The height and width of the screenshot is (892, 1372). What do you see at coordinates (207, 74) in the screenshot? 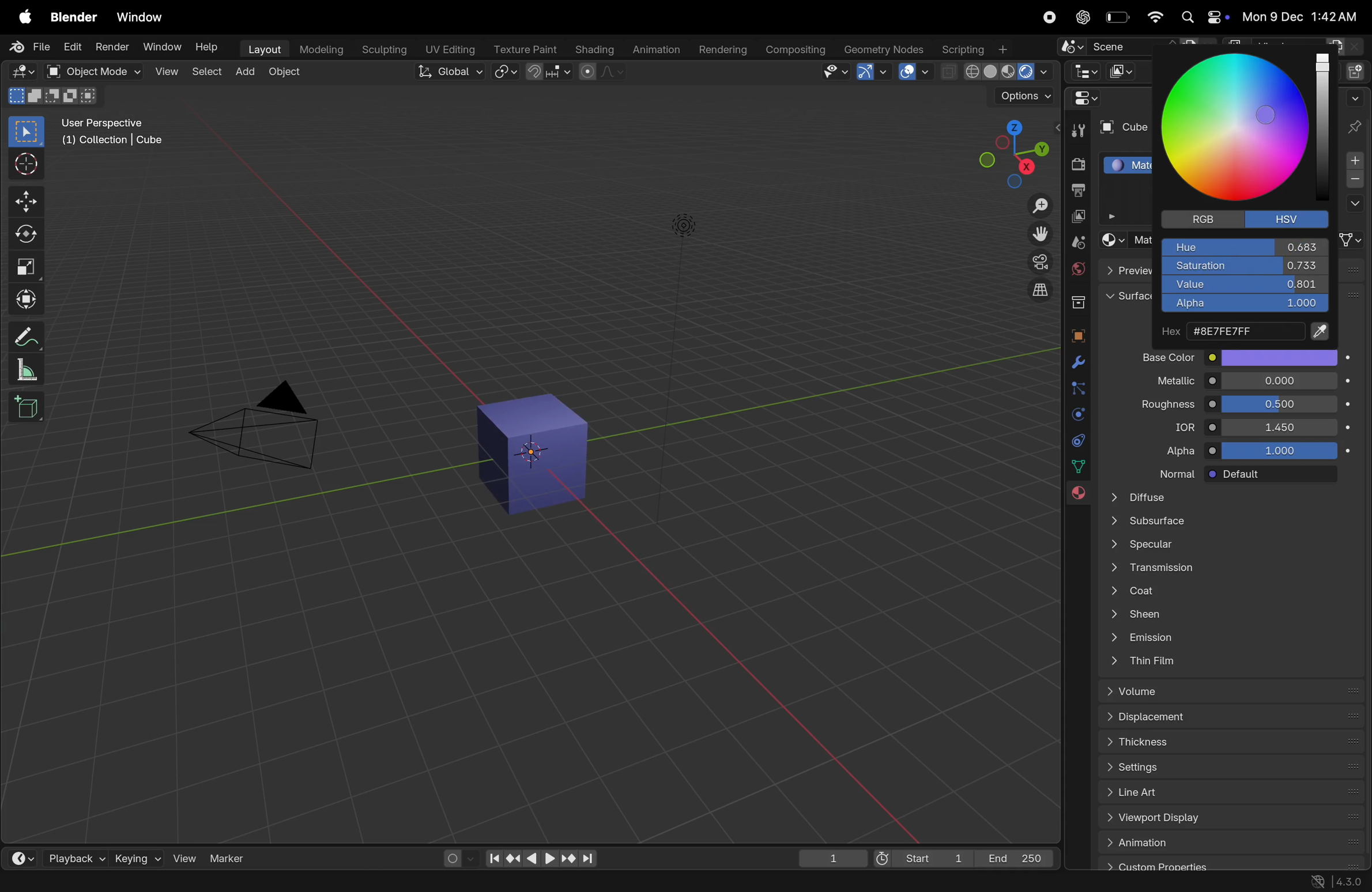
I see `select` at bounding box center [207, 74].